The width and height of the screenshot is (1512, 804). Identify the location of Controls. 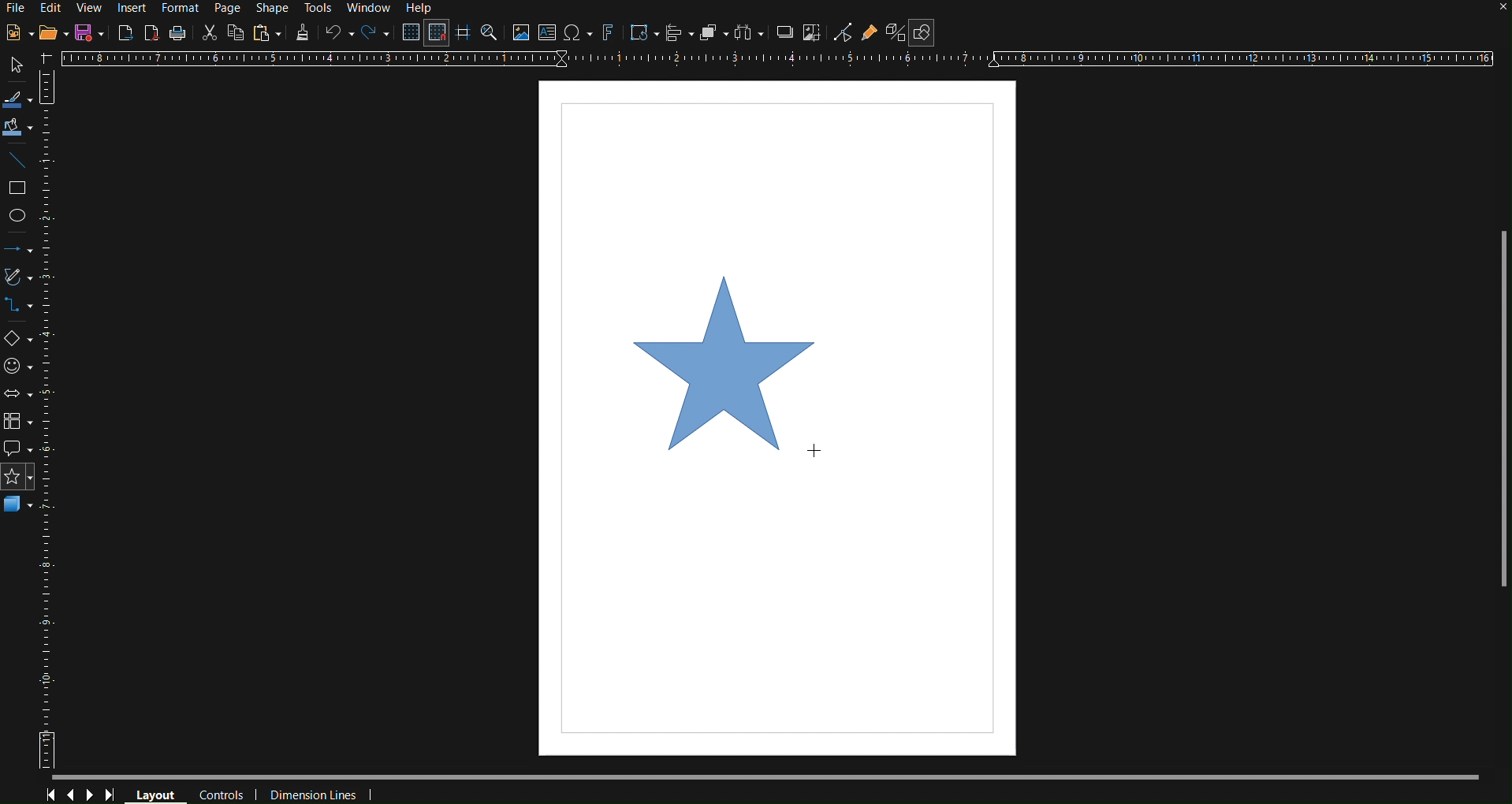
(221, 793).